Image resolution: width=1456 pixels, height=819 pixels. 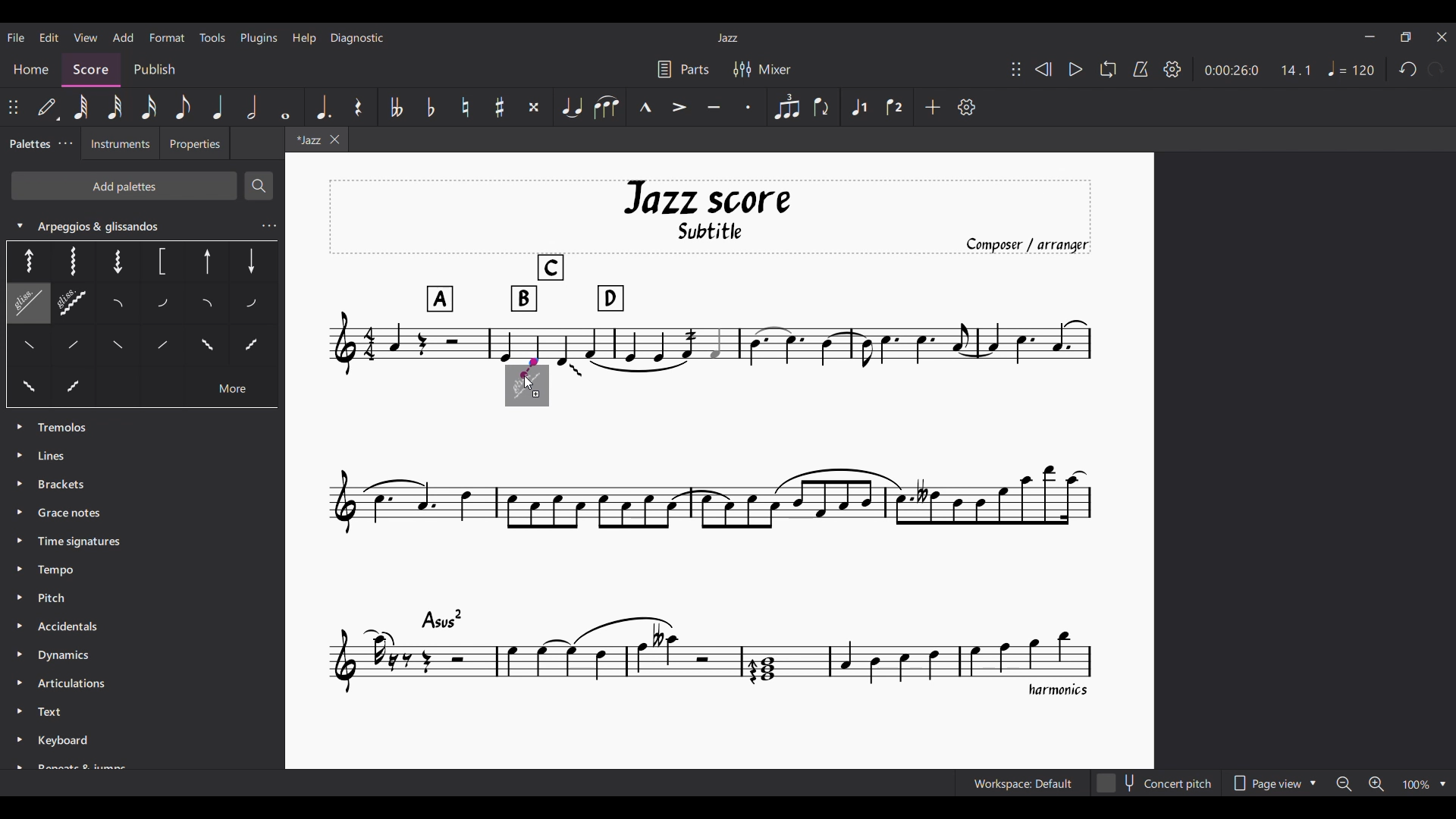 What do you see at coordinates (466, 107) in the screenshot?
I see `Toggle natural` at bounding box center [466, 107].